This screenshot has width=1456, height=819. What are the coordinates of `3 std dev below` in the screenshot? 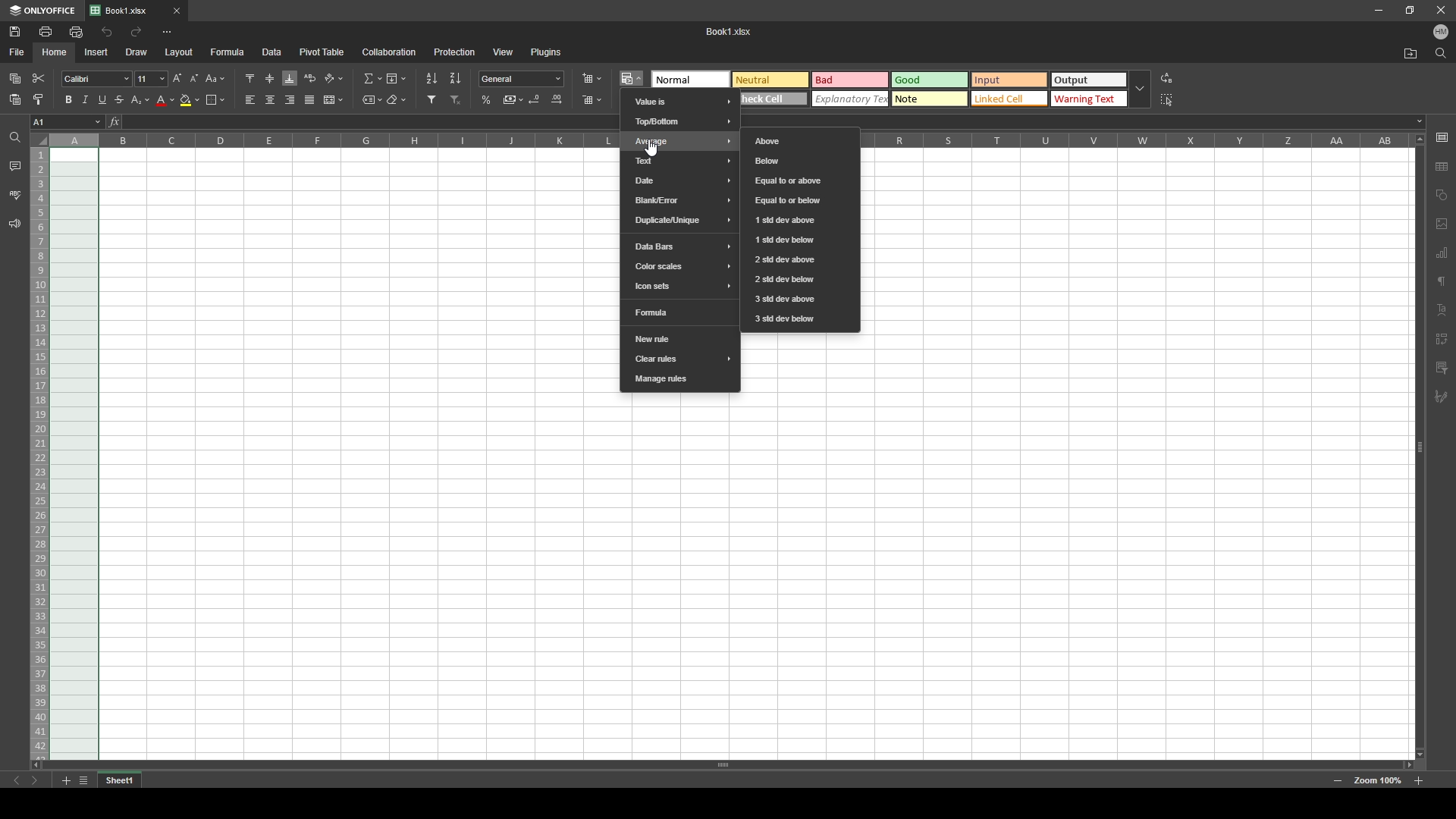 It's located at (800, 319).